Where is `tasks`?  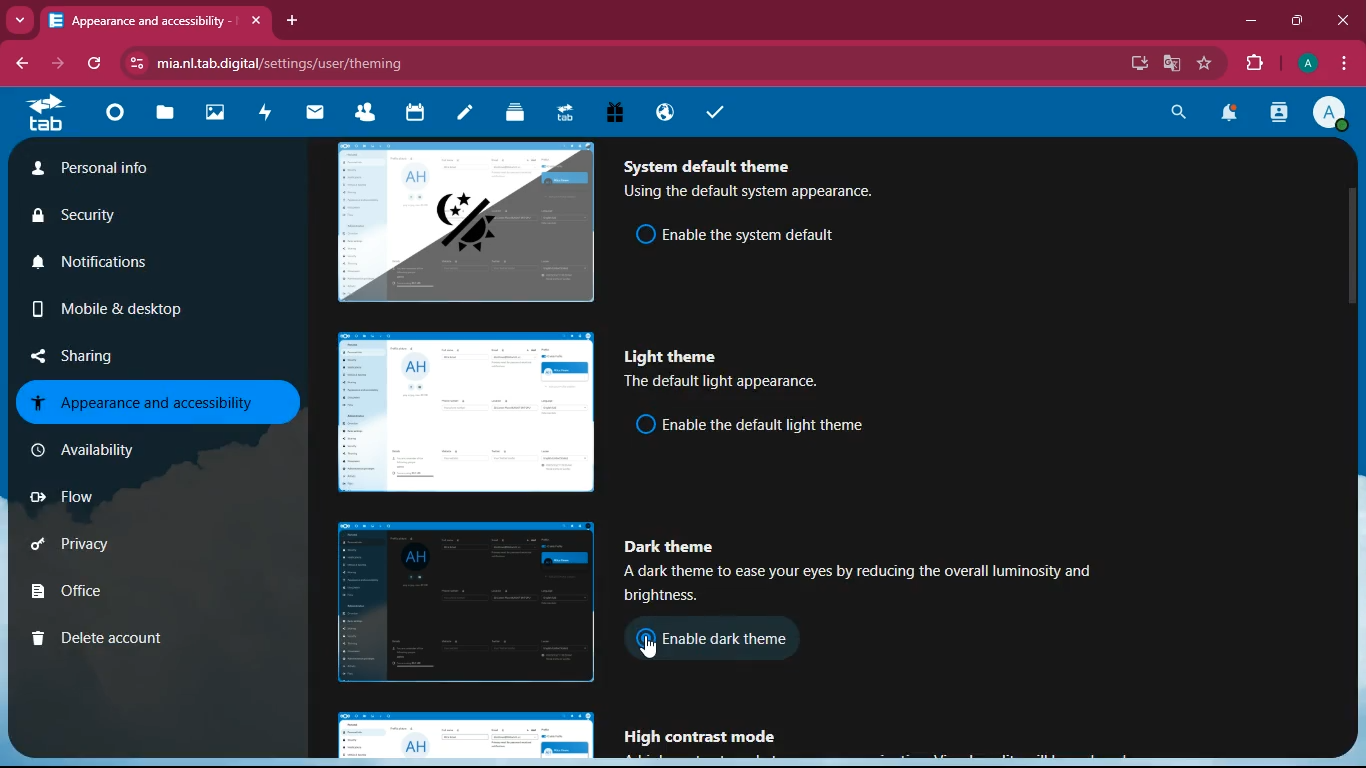
tasks is located at coordinates (715, 114).